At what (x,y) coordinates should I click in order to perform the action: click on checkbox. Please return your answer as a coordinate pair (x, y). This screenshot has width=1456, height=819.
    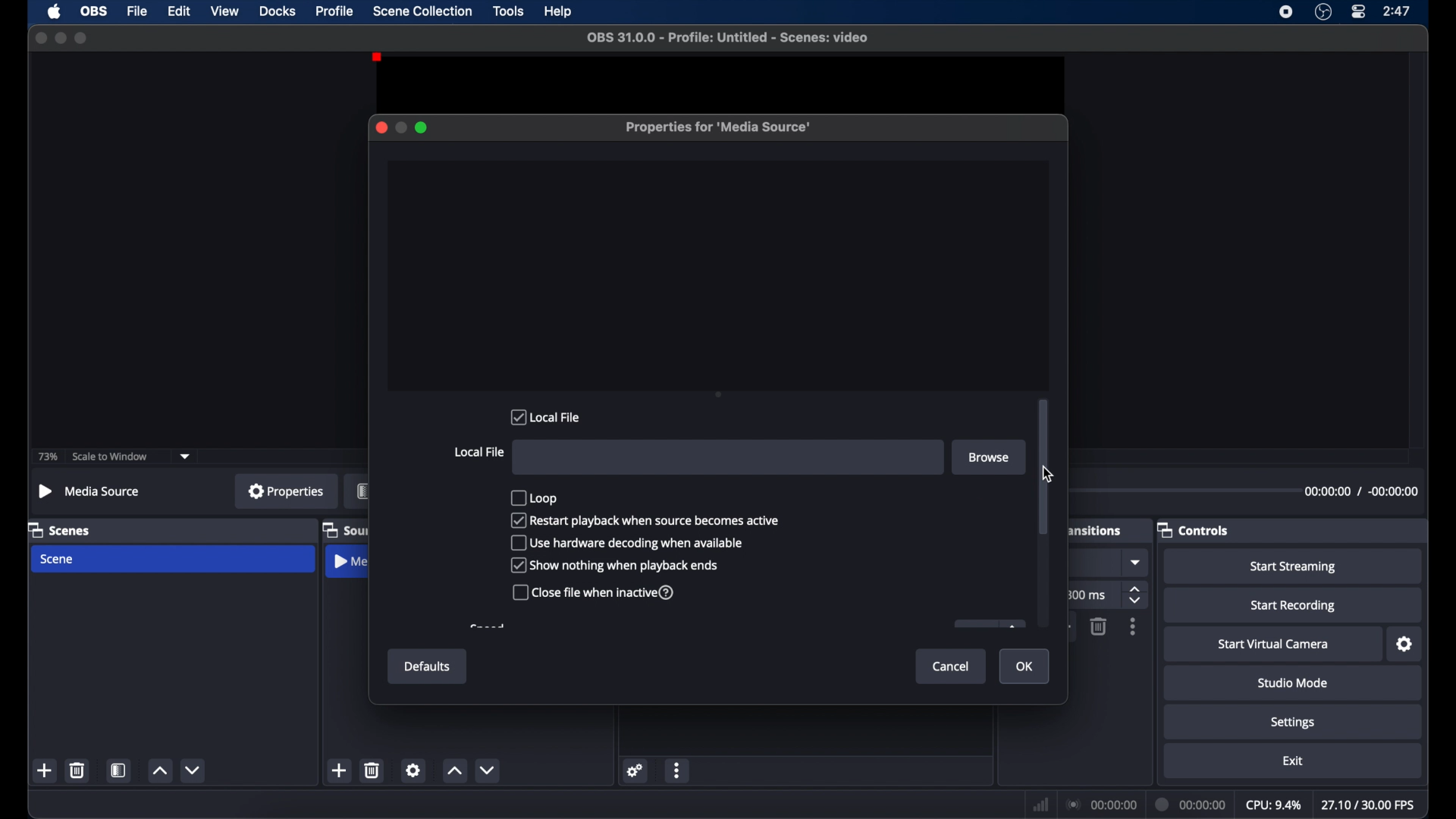
    Looking at the image, I should click on (645, 520).